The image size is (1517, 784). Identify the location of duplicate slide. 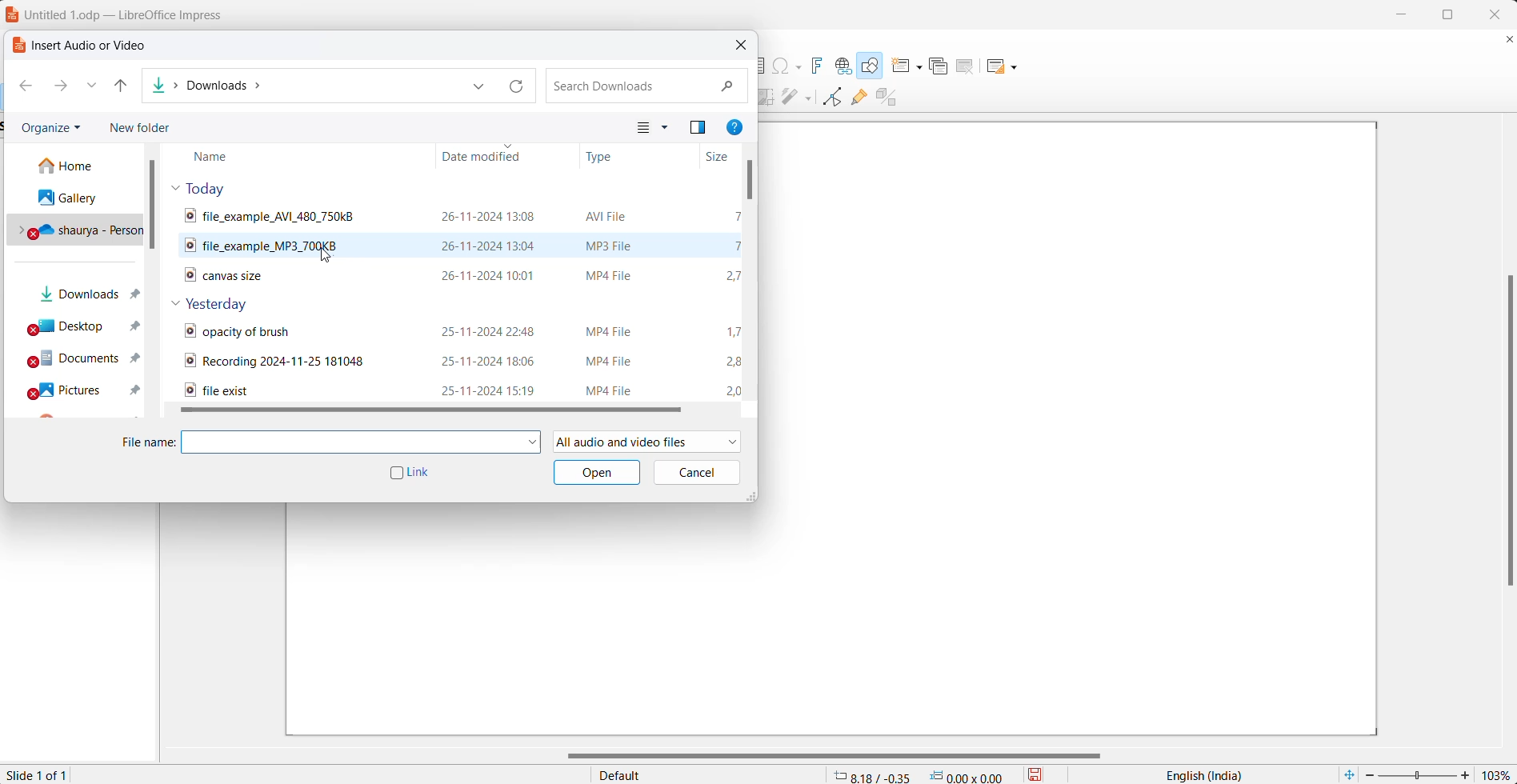
(943, 65).